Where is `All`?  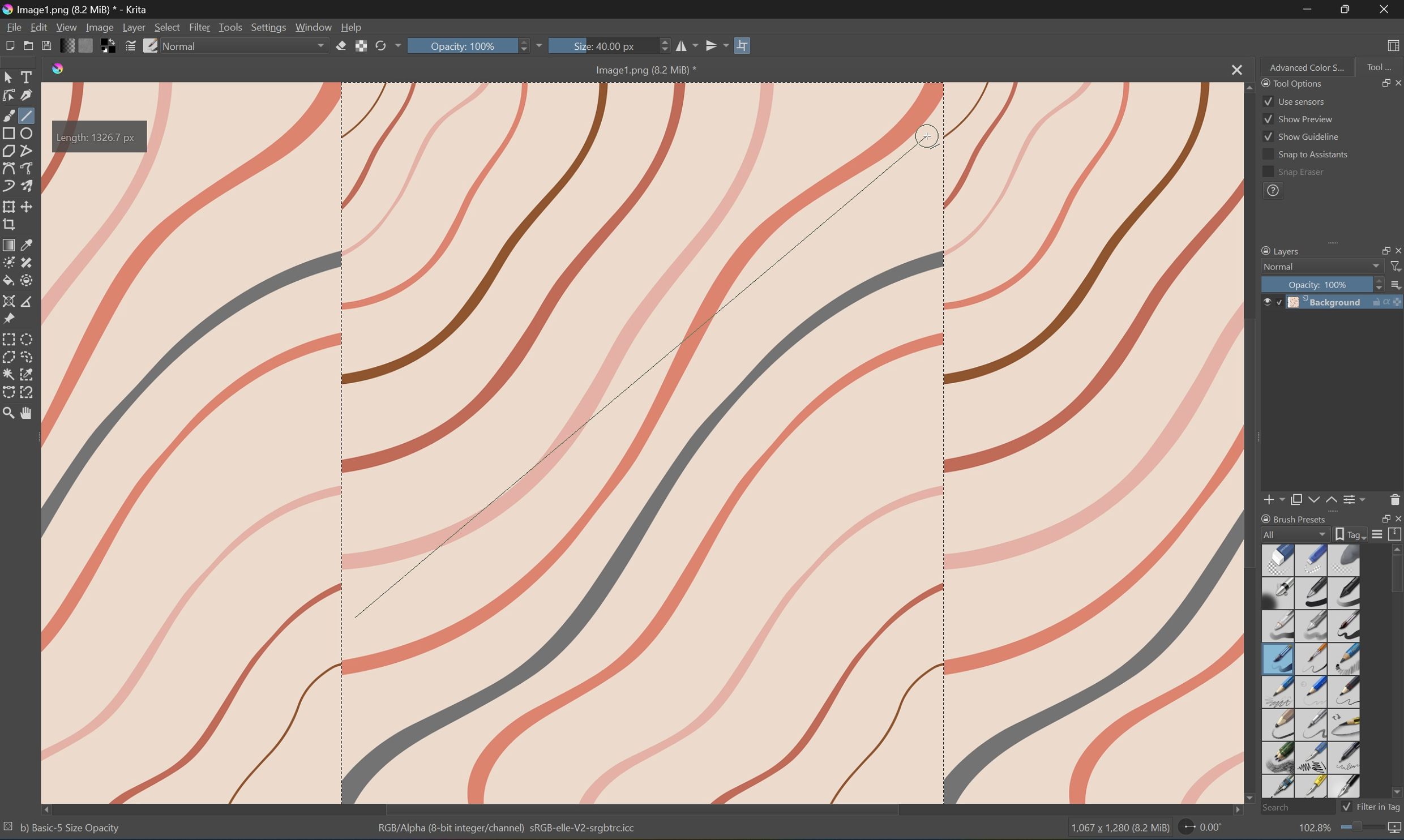 All is located at coordinates (1295, 533).